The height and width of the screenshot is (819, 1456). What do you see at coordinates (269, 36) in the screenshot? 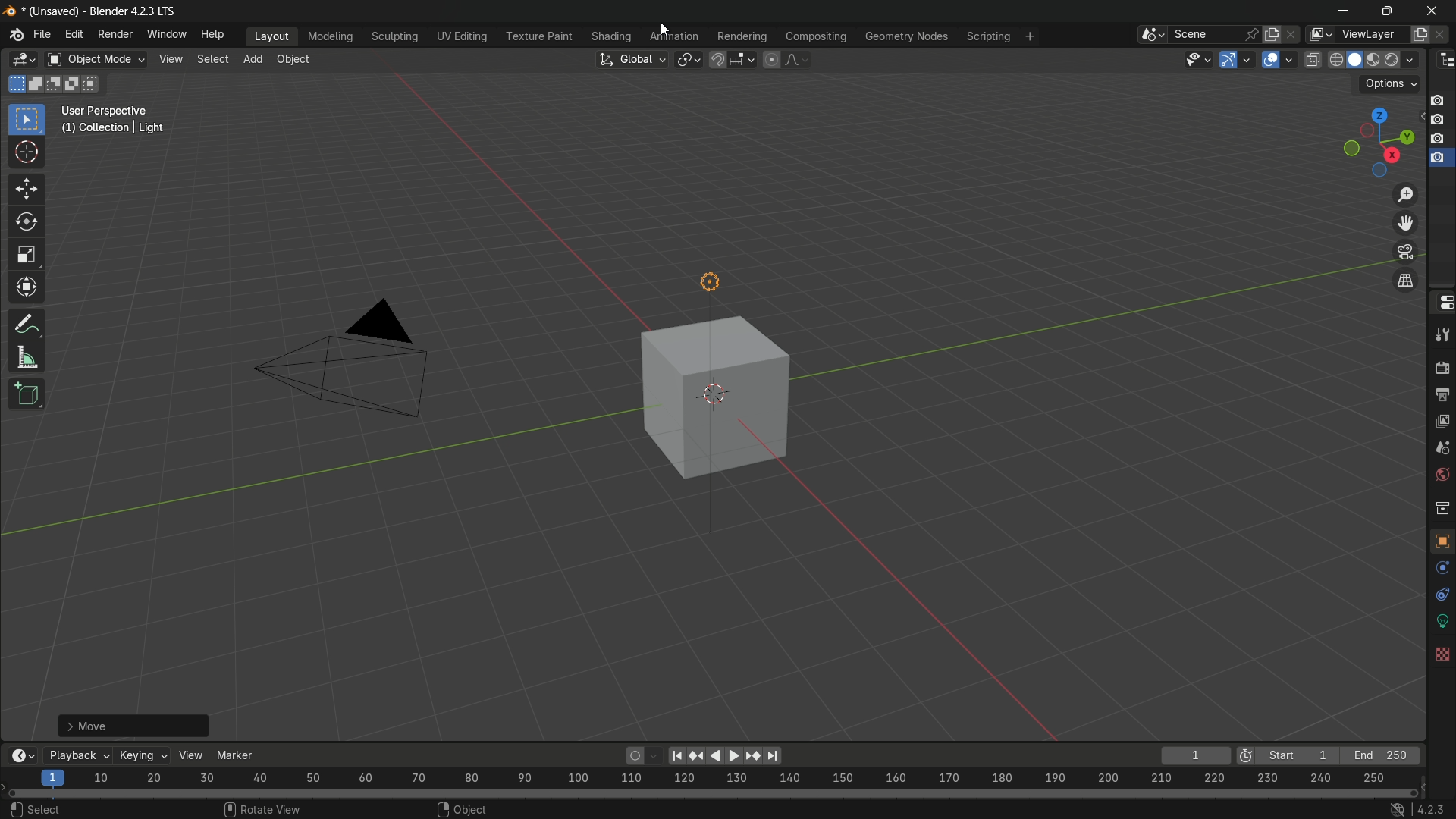
I see `layout menu` at bounding box center [269, 36].